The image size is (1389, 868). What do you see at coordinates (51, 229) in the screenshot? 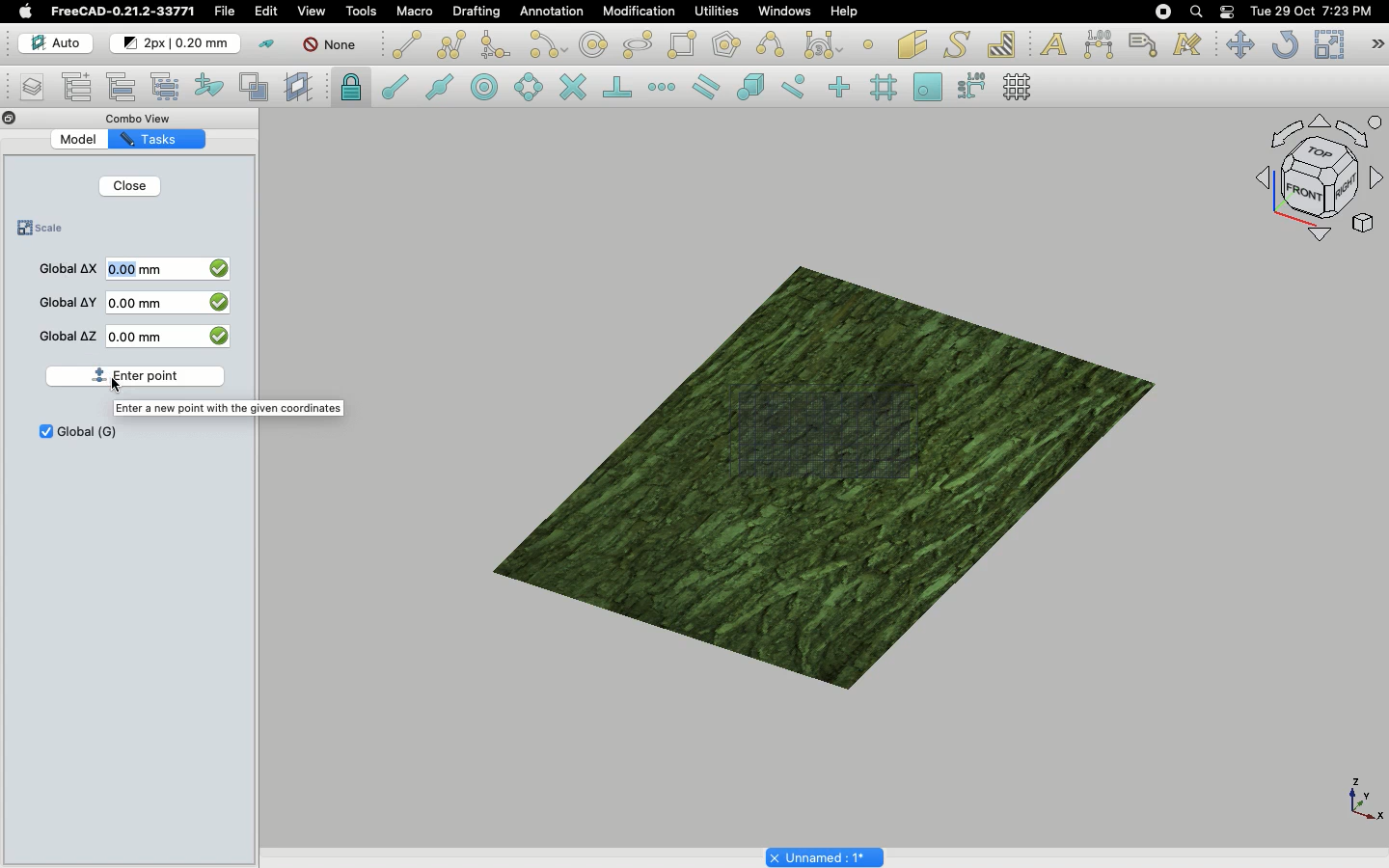
I see `Scale` at bounding box center [51, 229].